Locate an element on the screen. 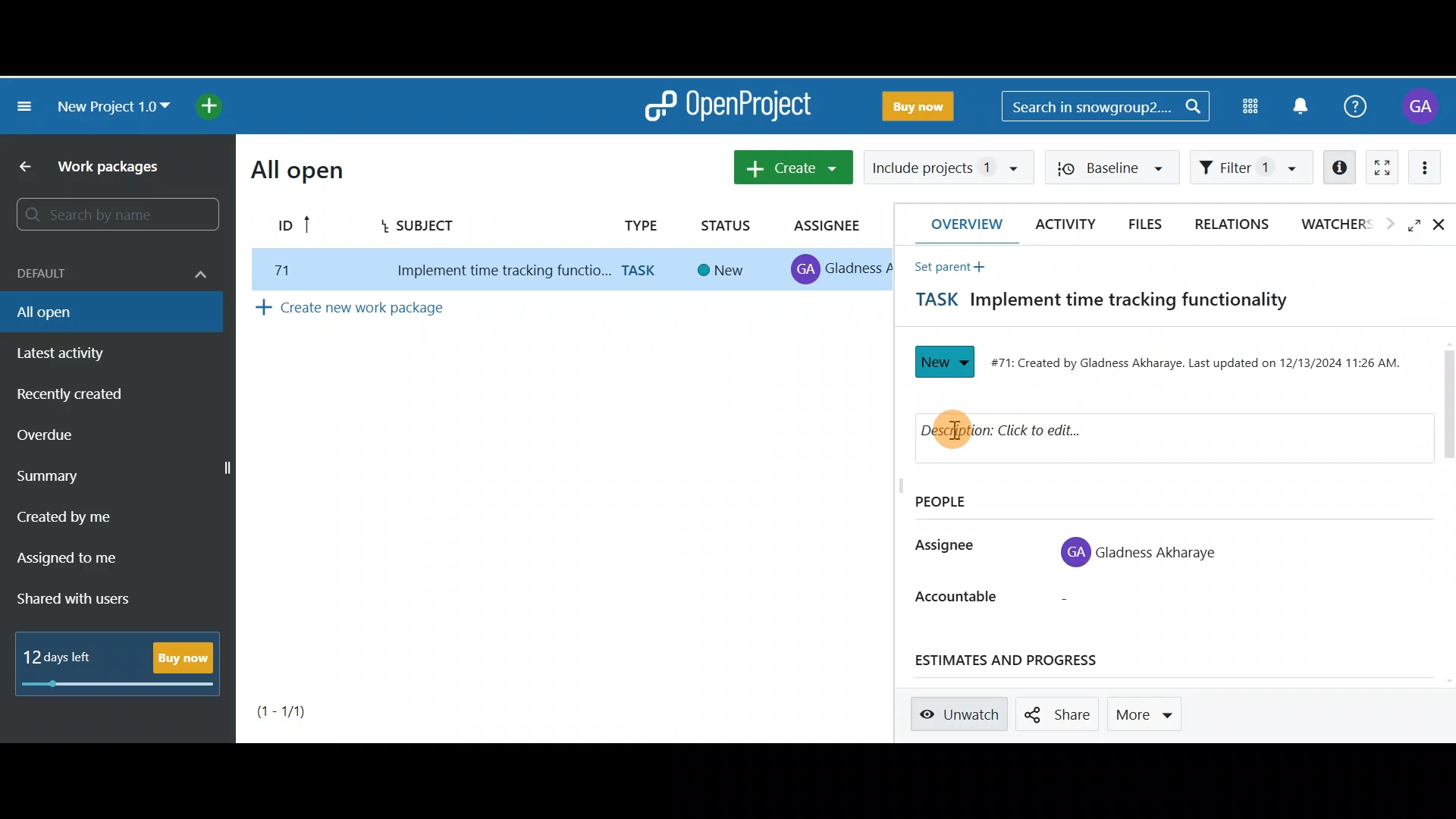 The width and height of the screenshot is (1456, 819). Files is located at coordinates (1150, 224).